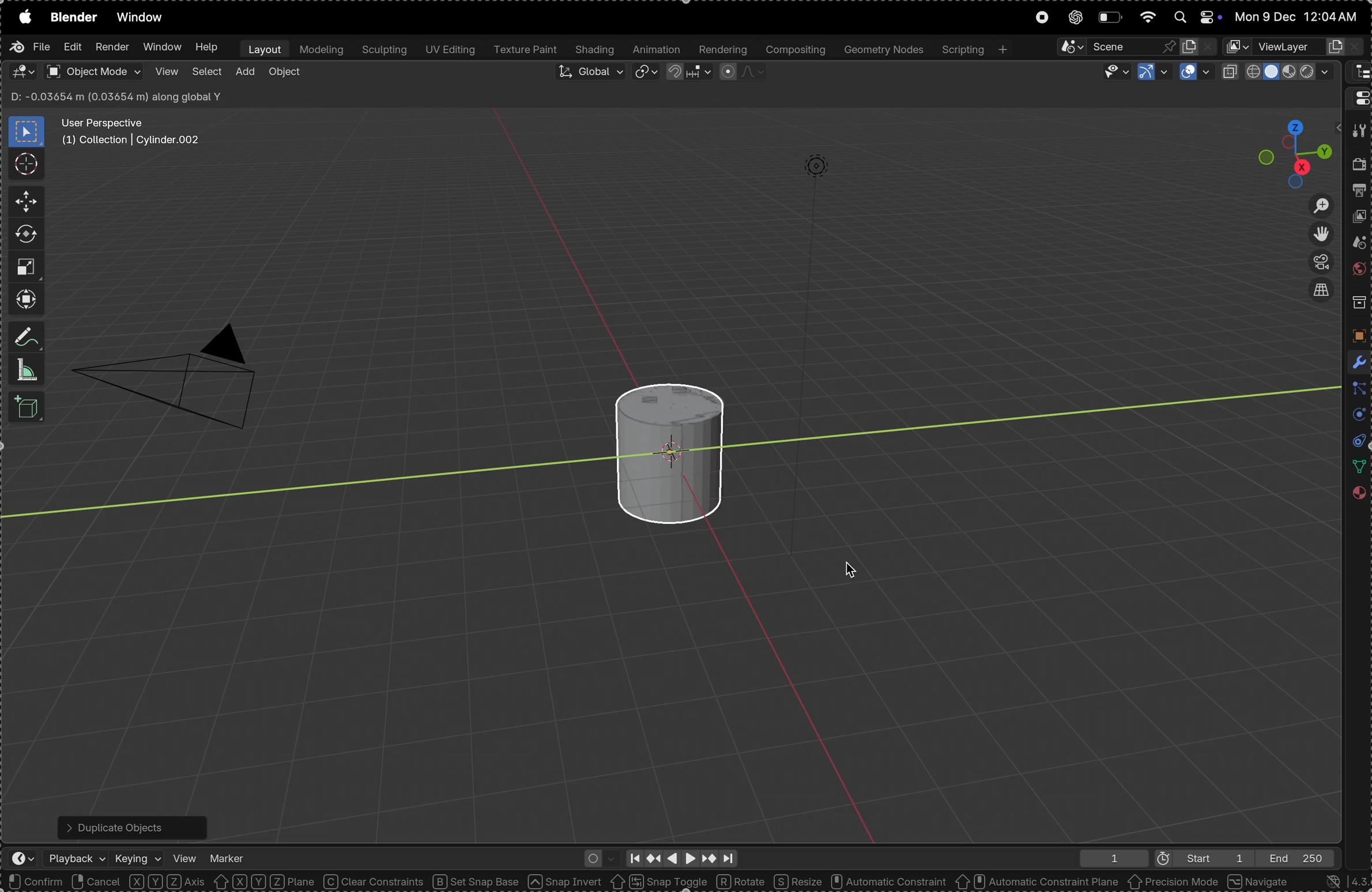  Describe the element at coordinates (70, 48) in the screenshot. I see `Edit` at that location.